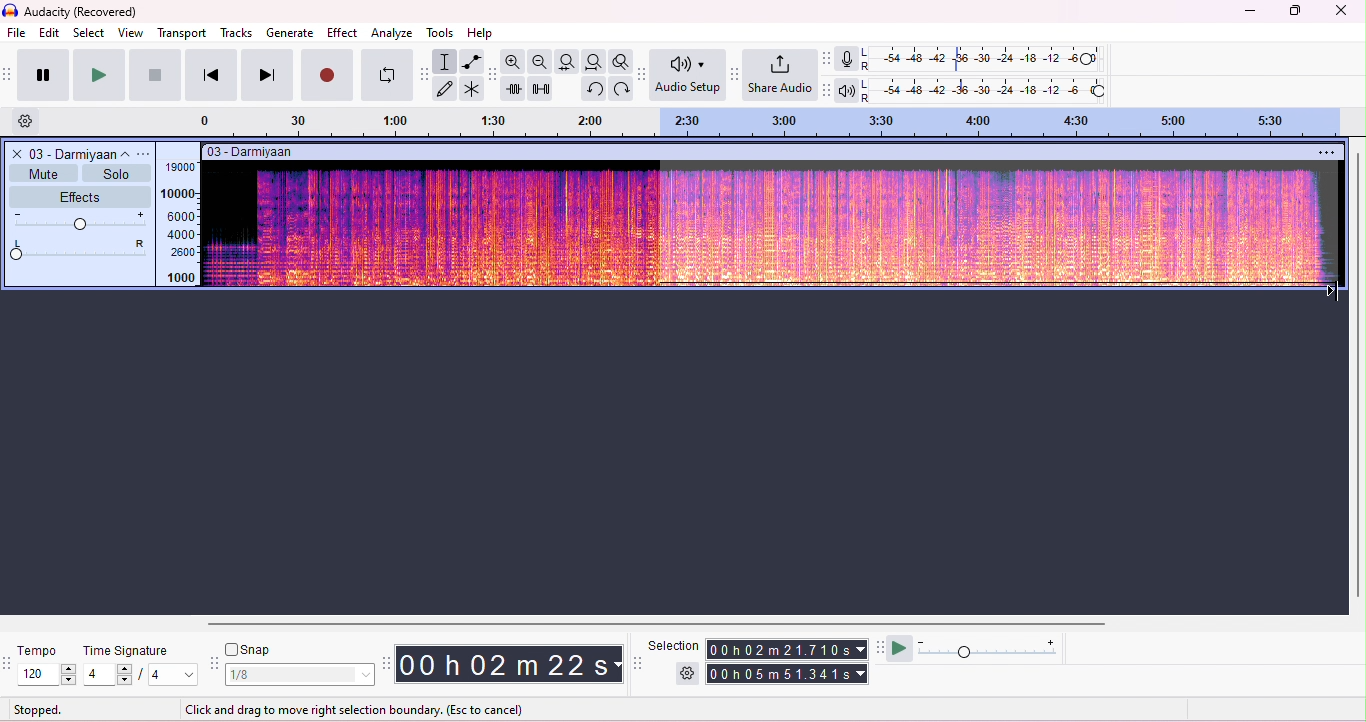 The width and height of the screenshot is (1366, 722). I want to click on recording meter tool bar, so click(828, 58).